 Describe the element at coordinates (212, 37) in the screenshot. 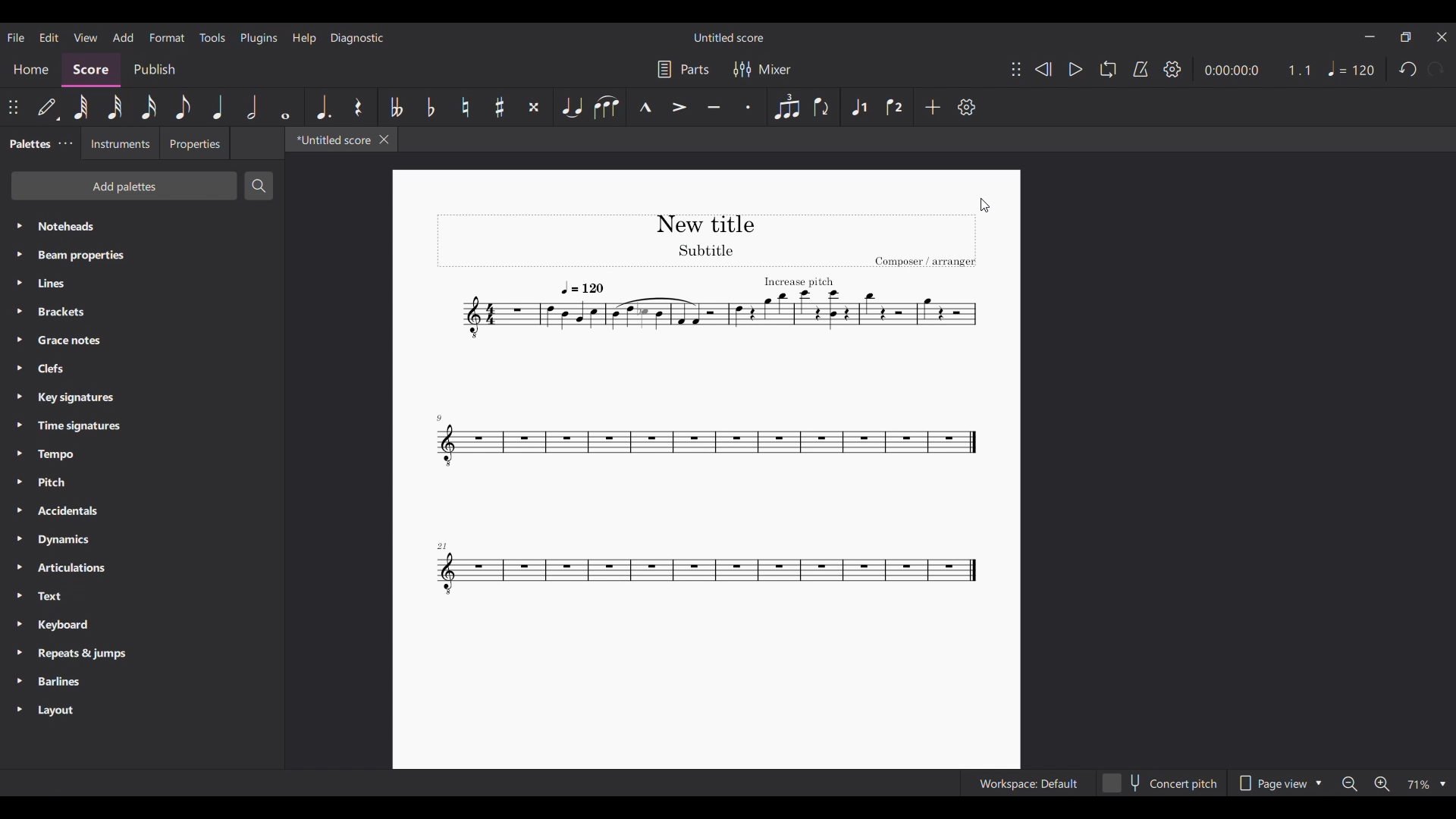

I see `Tools menu` at that location.